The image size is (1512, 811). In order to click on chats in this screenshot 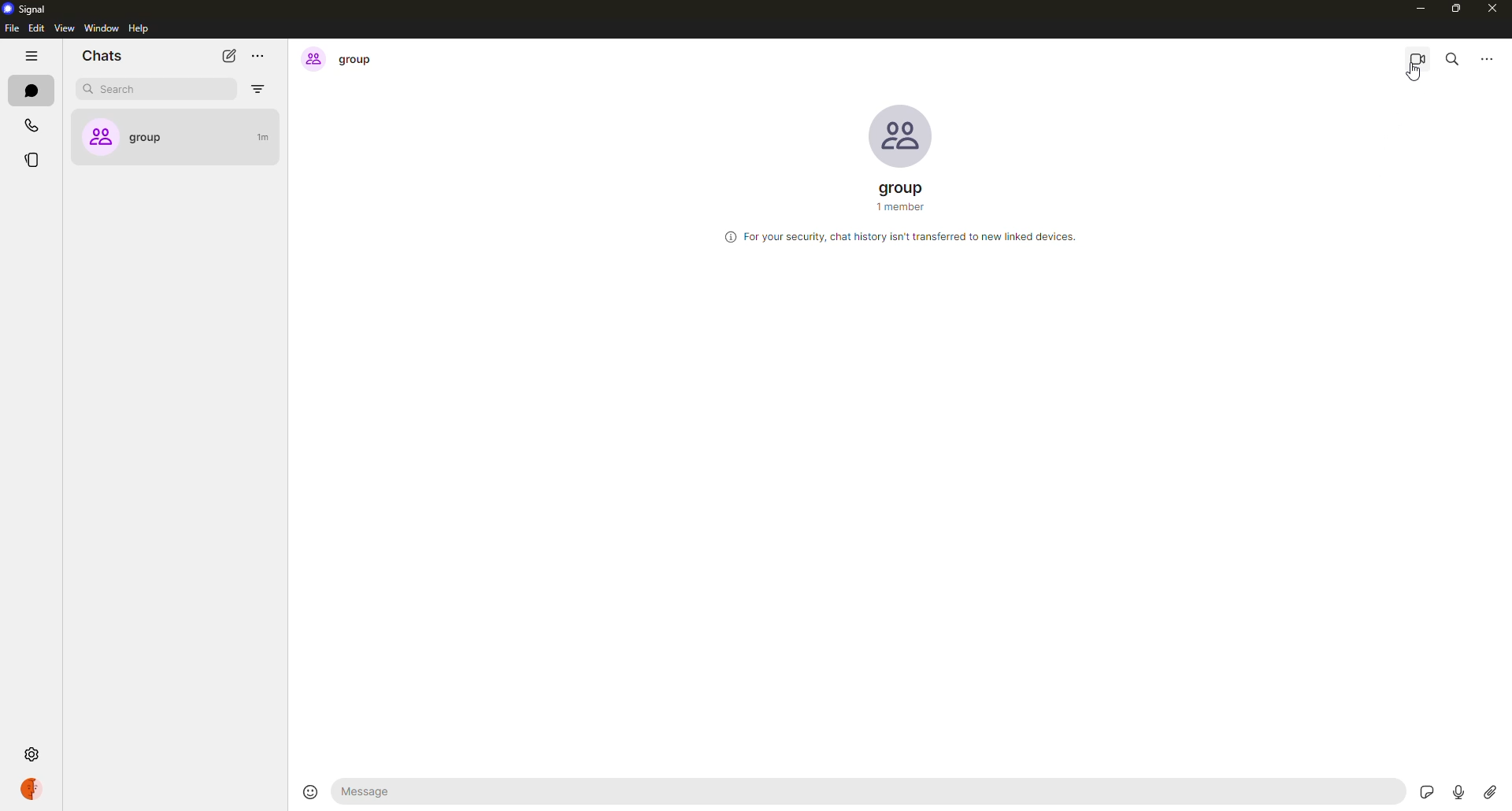, I will do `click(102, 57)`.